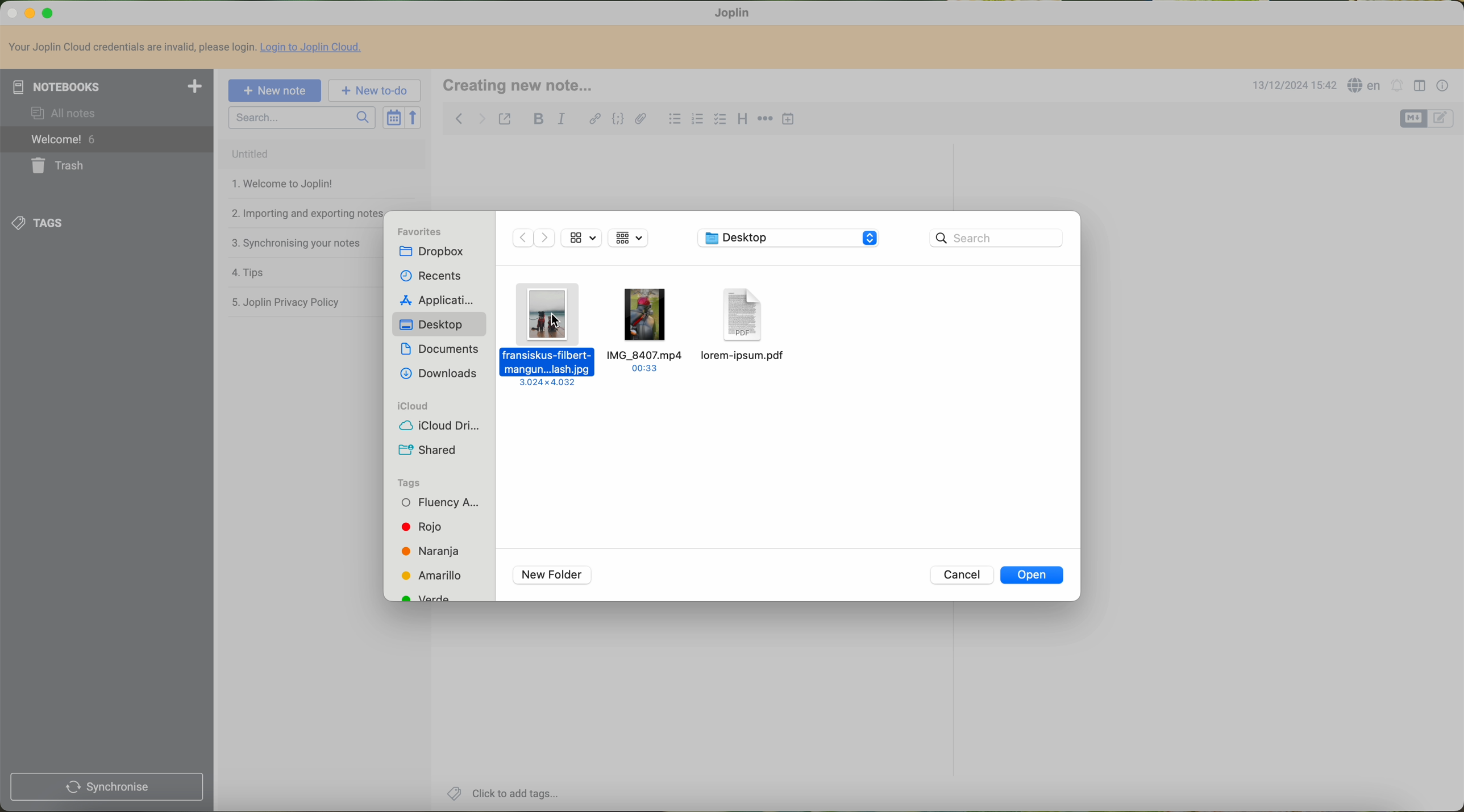 The image size is (1464, 812). Describe the element at coordinates (743, 120) in the screenshot. I see `heading` at that location.